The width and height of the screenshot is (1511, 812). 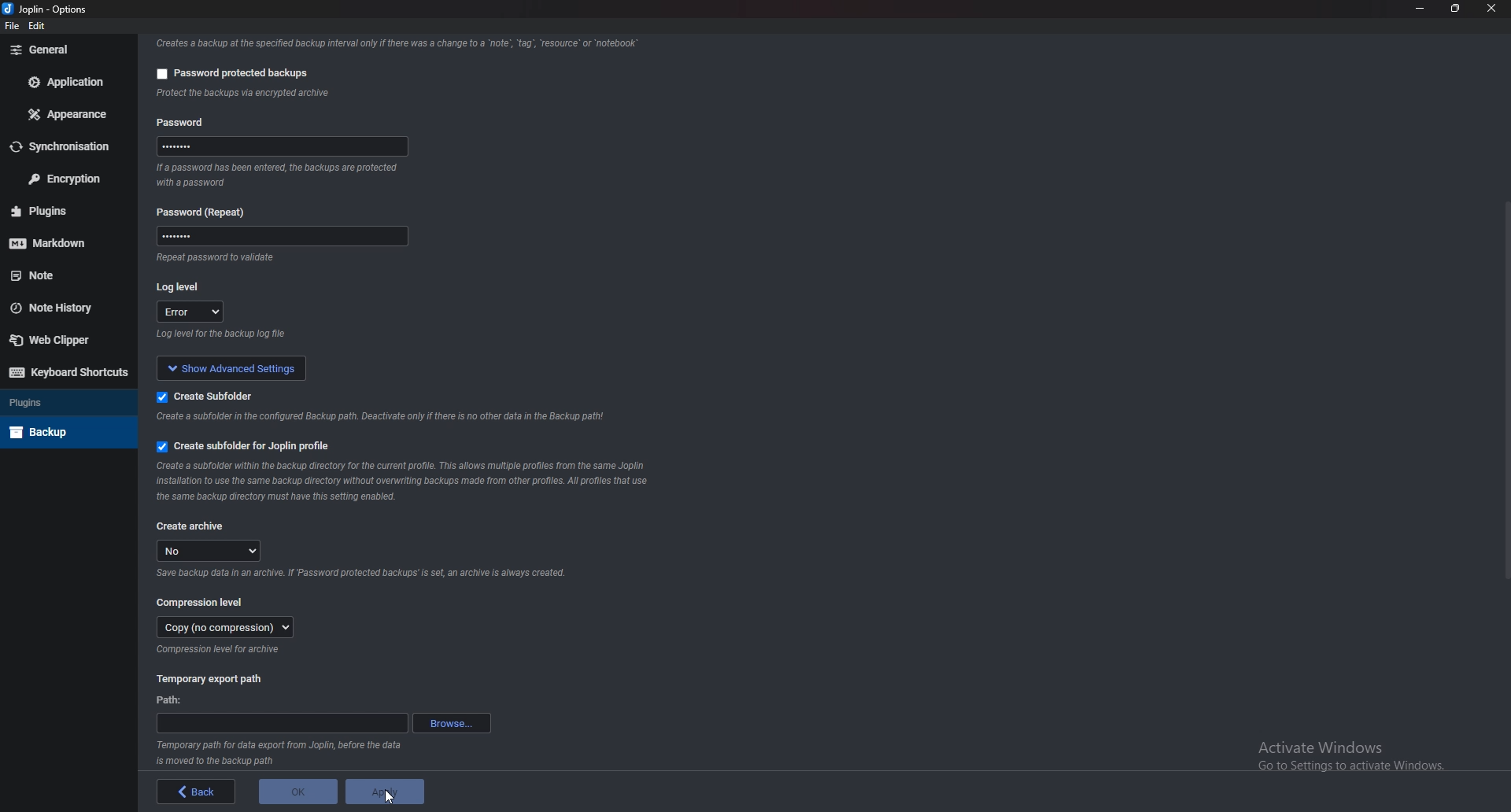 What do you see at coordinates (406, 481) in the screenshot?
I see `Info` at bounding box center [406, 481].